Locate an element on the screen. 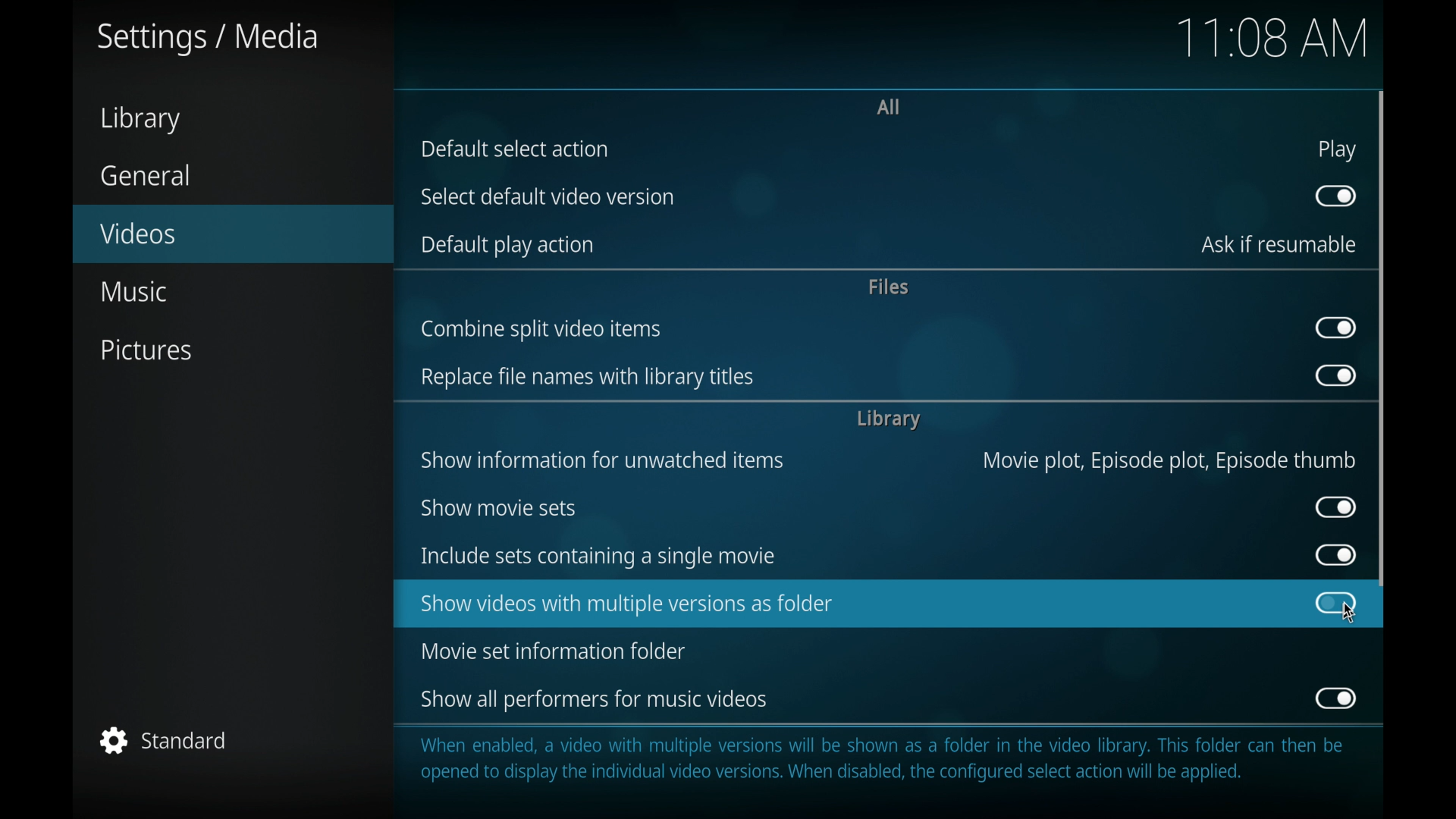 The image size is (1456, 819). show movie sets is located at coordinates (500, 508).